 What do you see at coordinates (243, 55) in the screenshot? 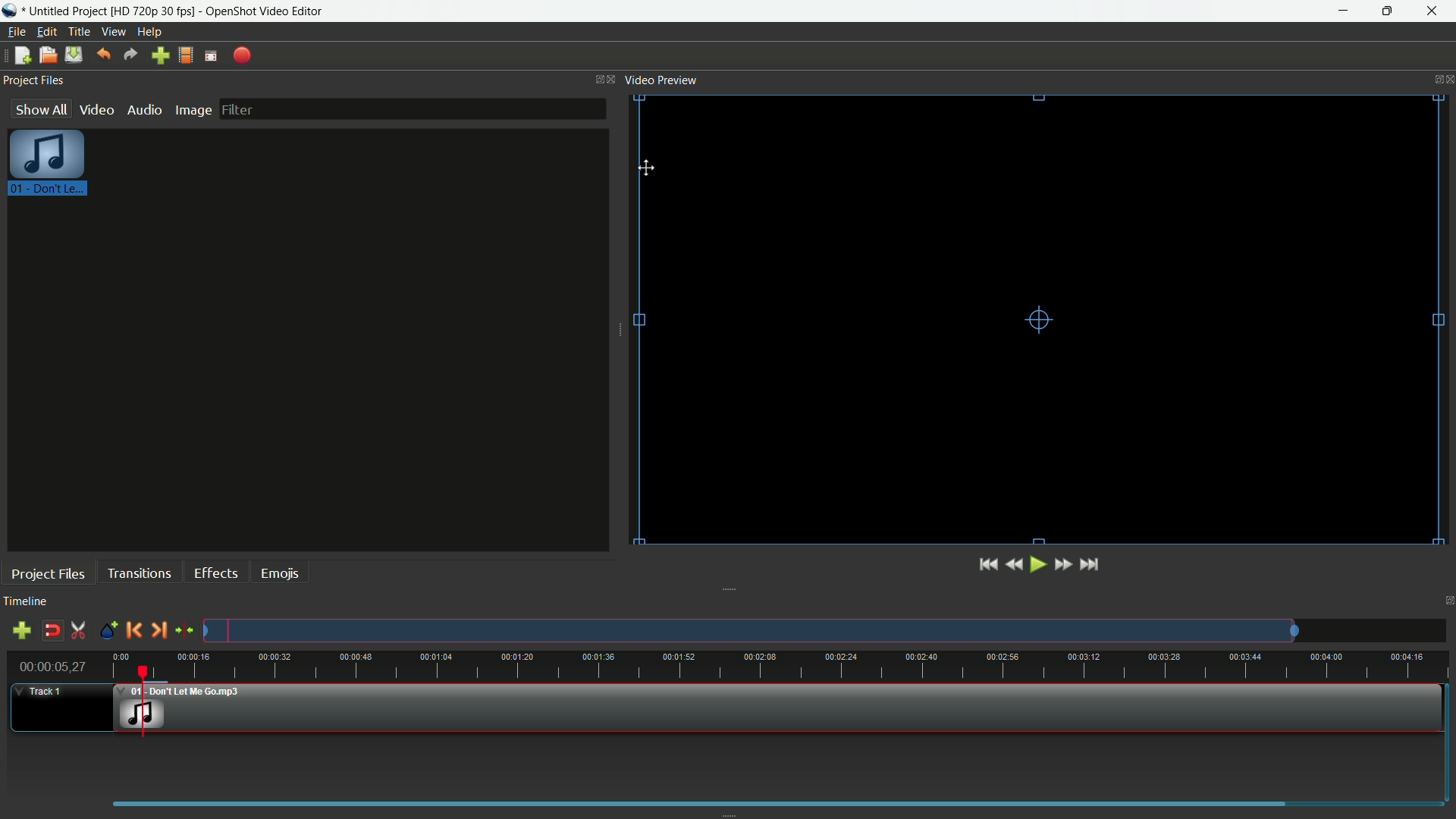
I see `export` at bounding box center [243, 55].